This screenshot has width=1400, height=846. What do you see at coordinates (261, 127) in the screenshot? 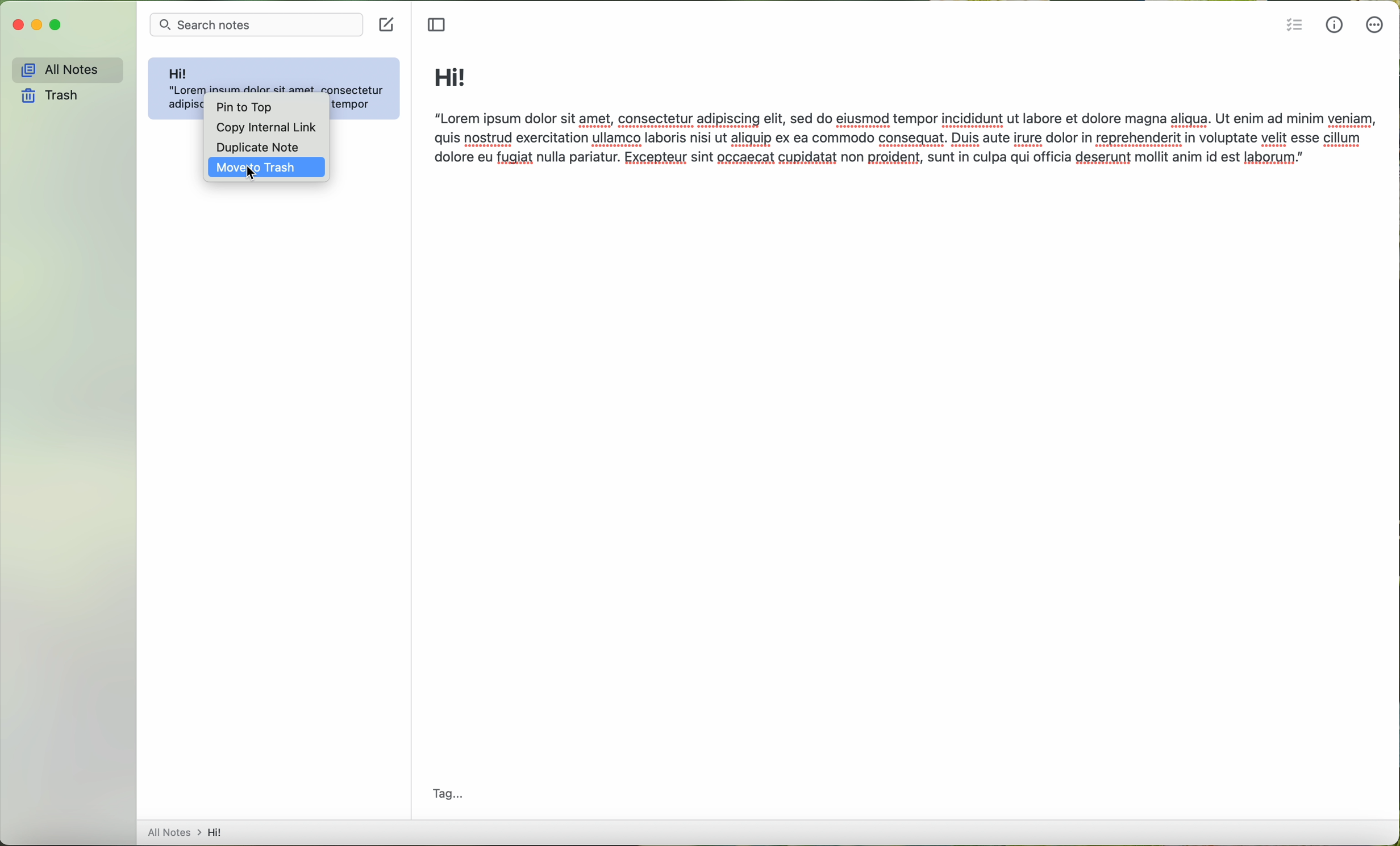
I see `copy internal link` at bounding box center [261, 127].